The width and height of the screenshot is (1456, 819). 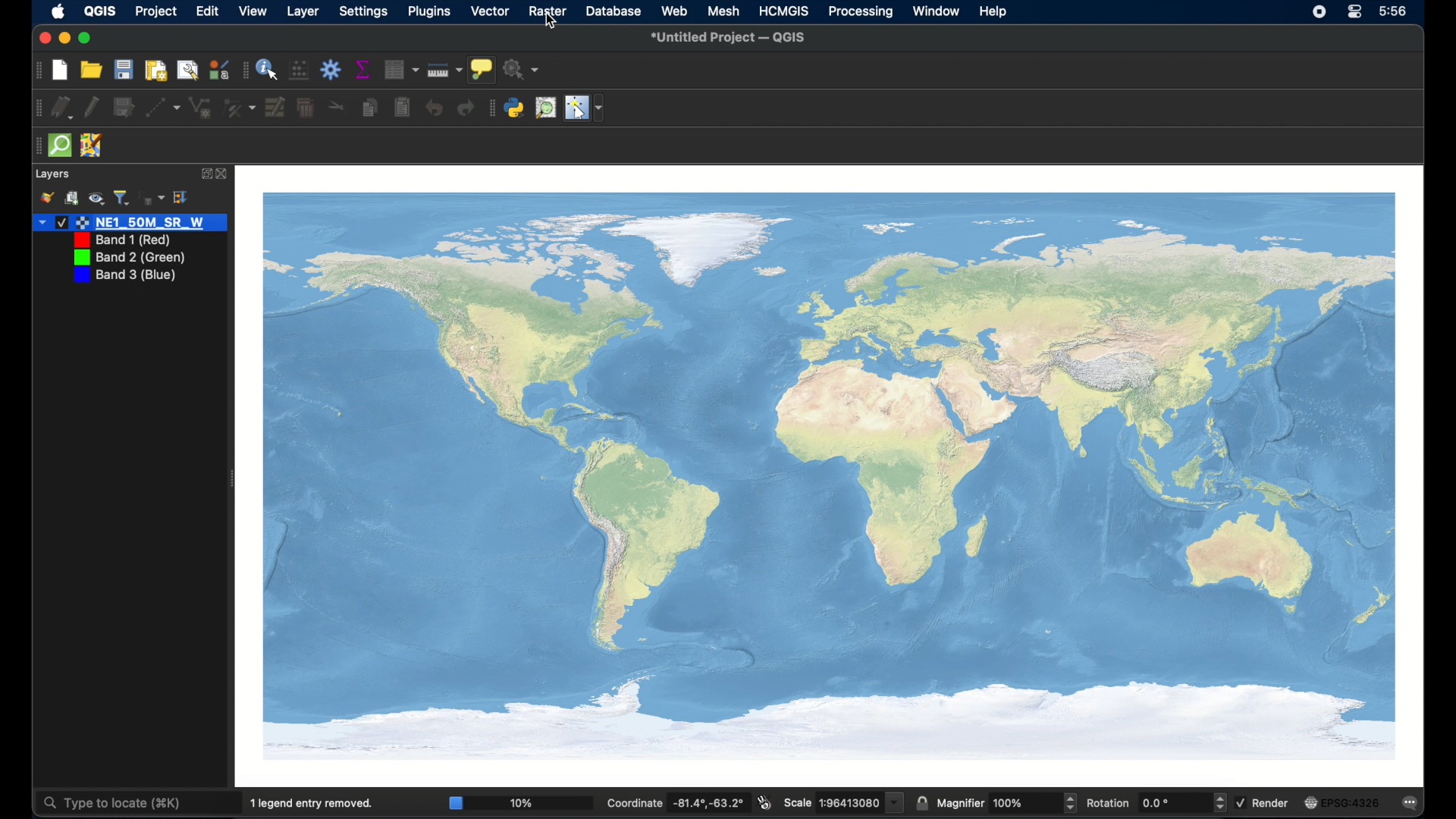 I want to click on drag handle, so click(x=36, y=108).